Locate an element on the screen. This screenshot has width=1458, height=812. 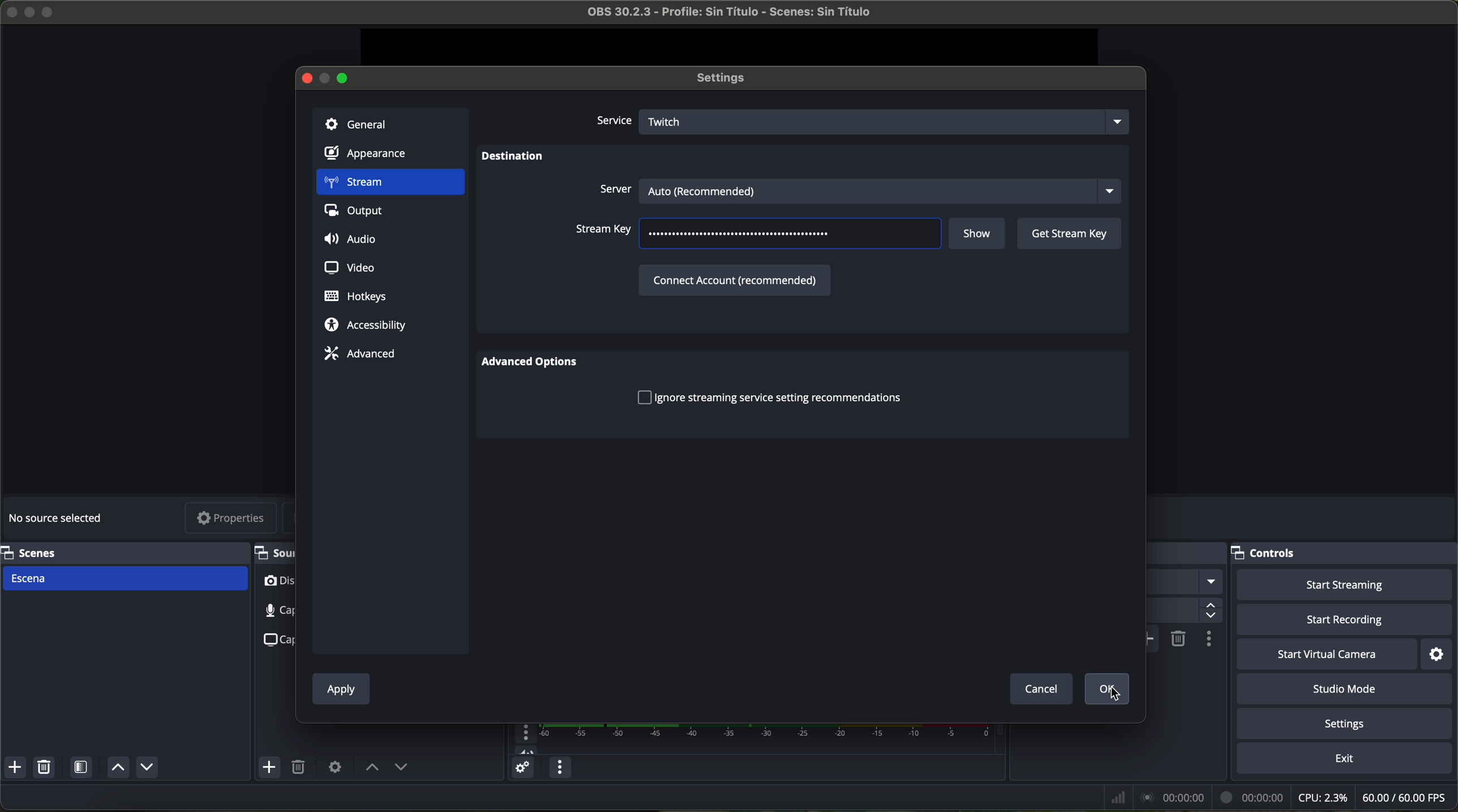
 is located at coordinates (1187, 553).